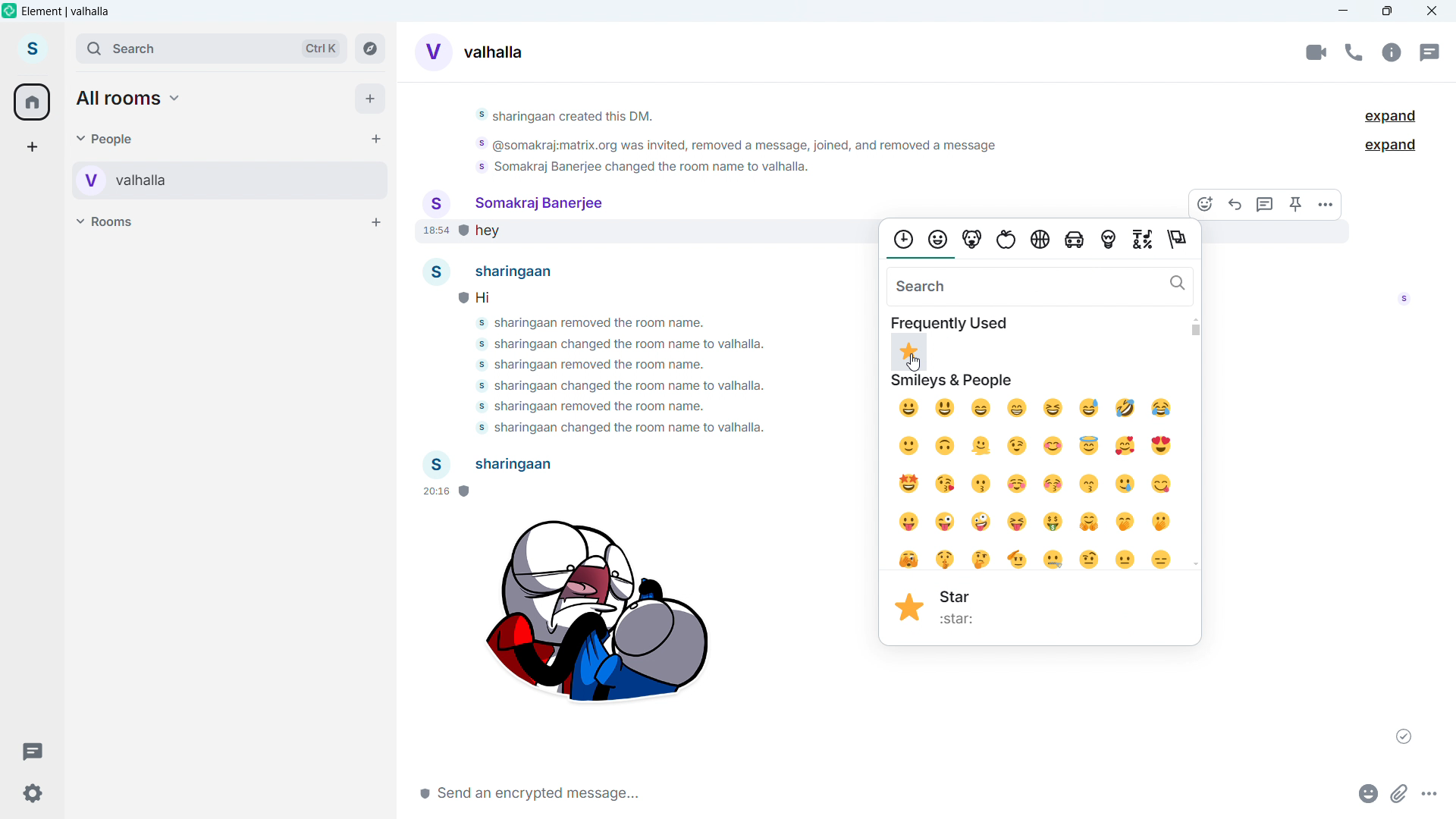  Describe the element at coordinates (959, 595) in the screenshot. I see `star` at that location.